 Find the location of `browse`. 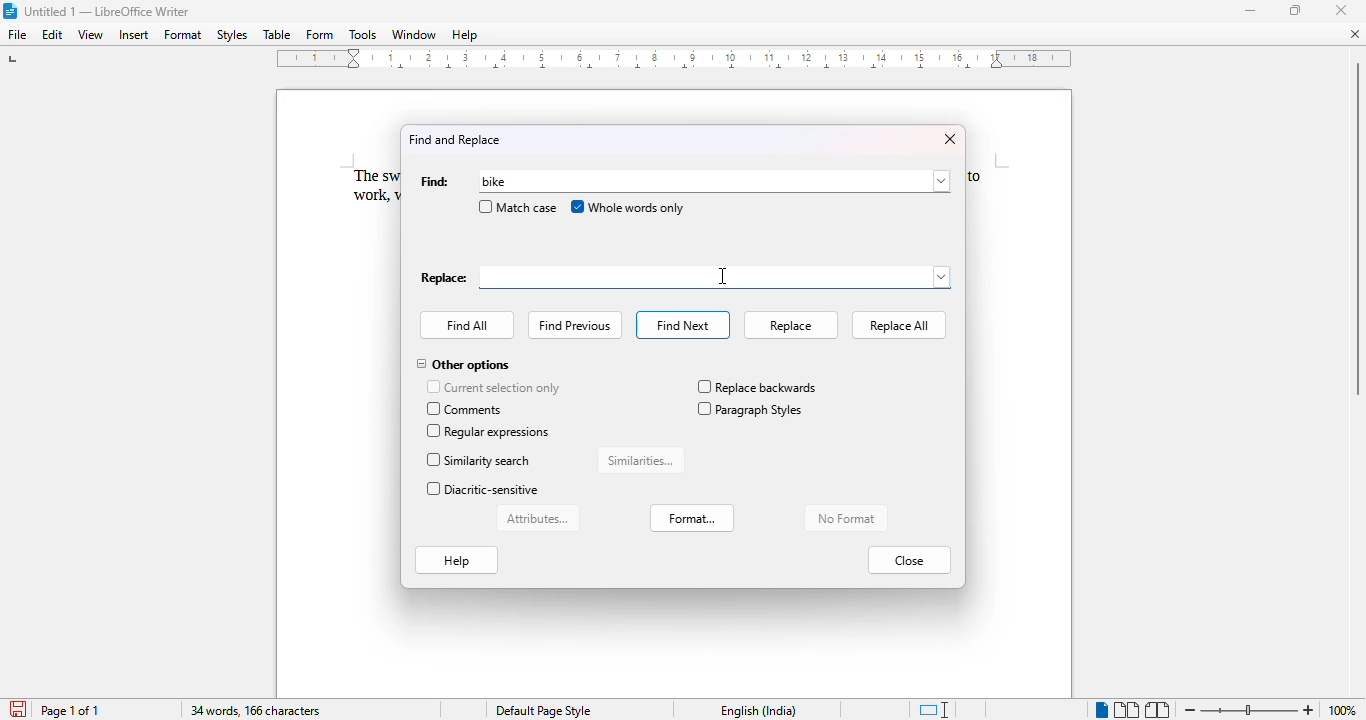

browse is located at coordinates (941, 181).